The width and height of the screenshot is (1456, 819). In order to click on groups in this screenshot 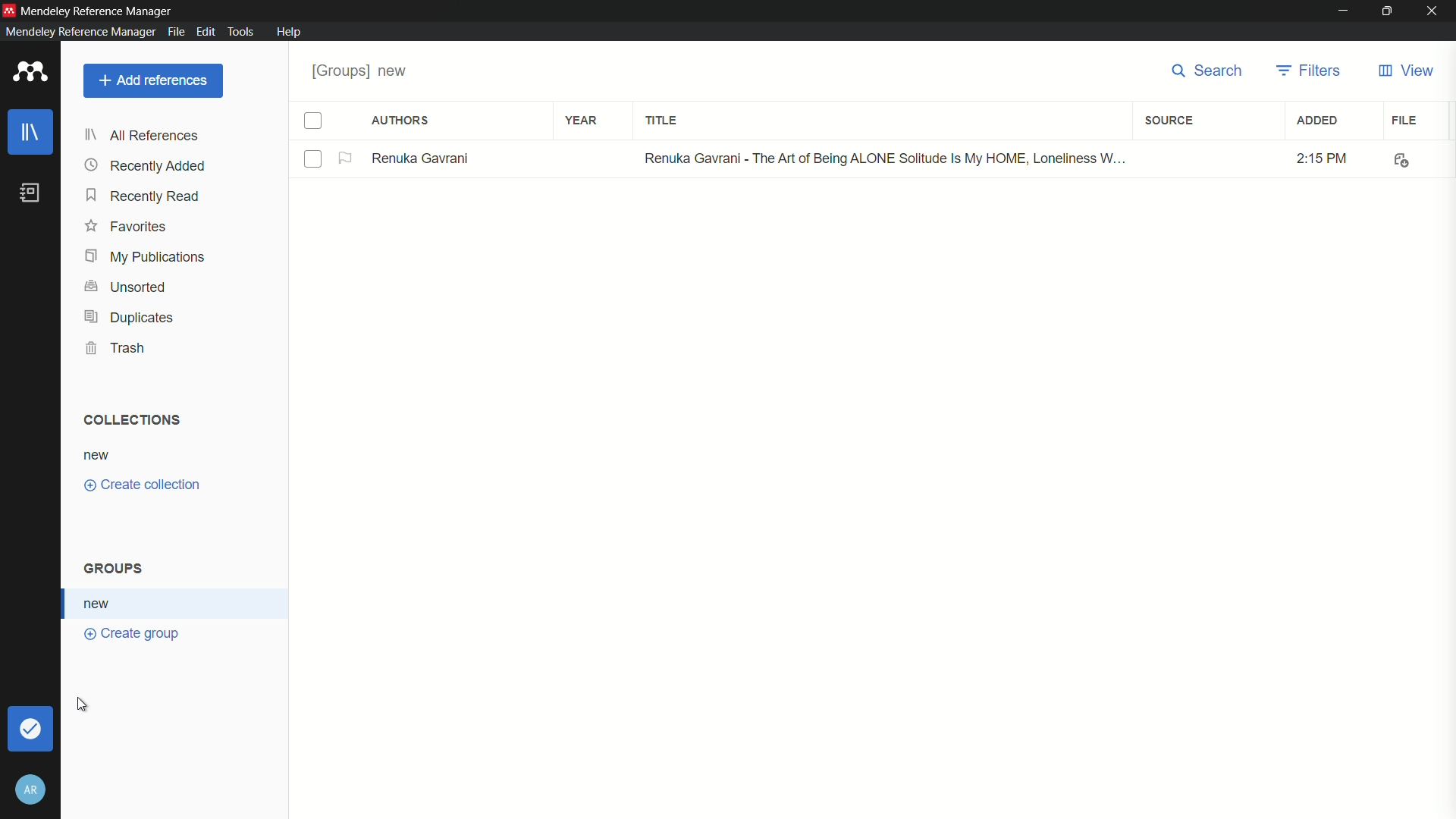, I will do `click(117, 566)`.